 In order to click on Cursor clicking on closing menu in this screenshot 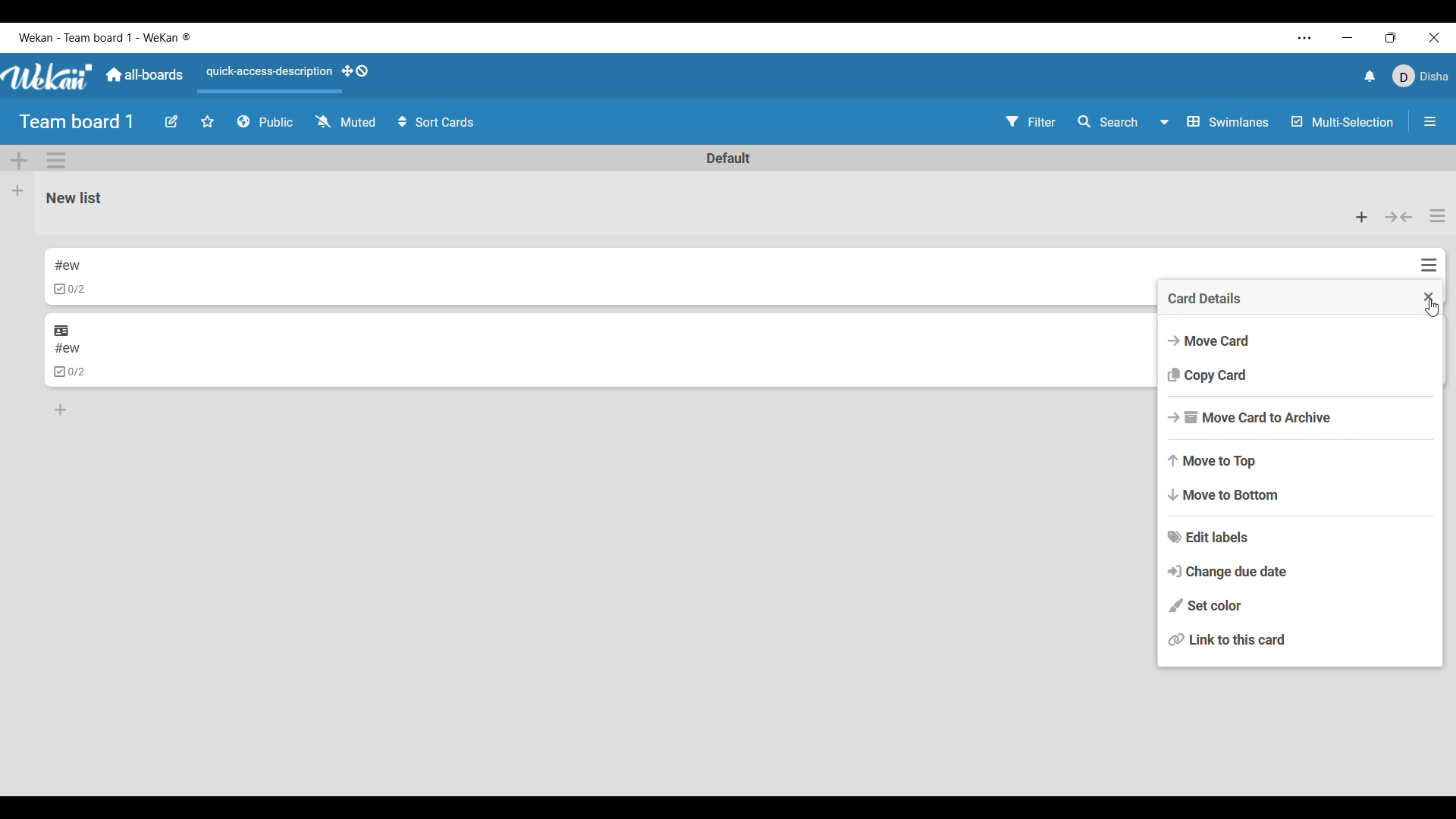, I will do `click(1432, 309)`.